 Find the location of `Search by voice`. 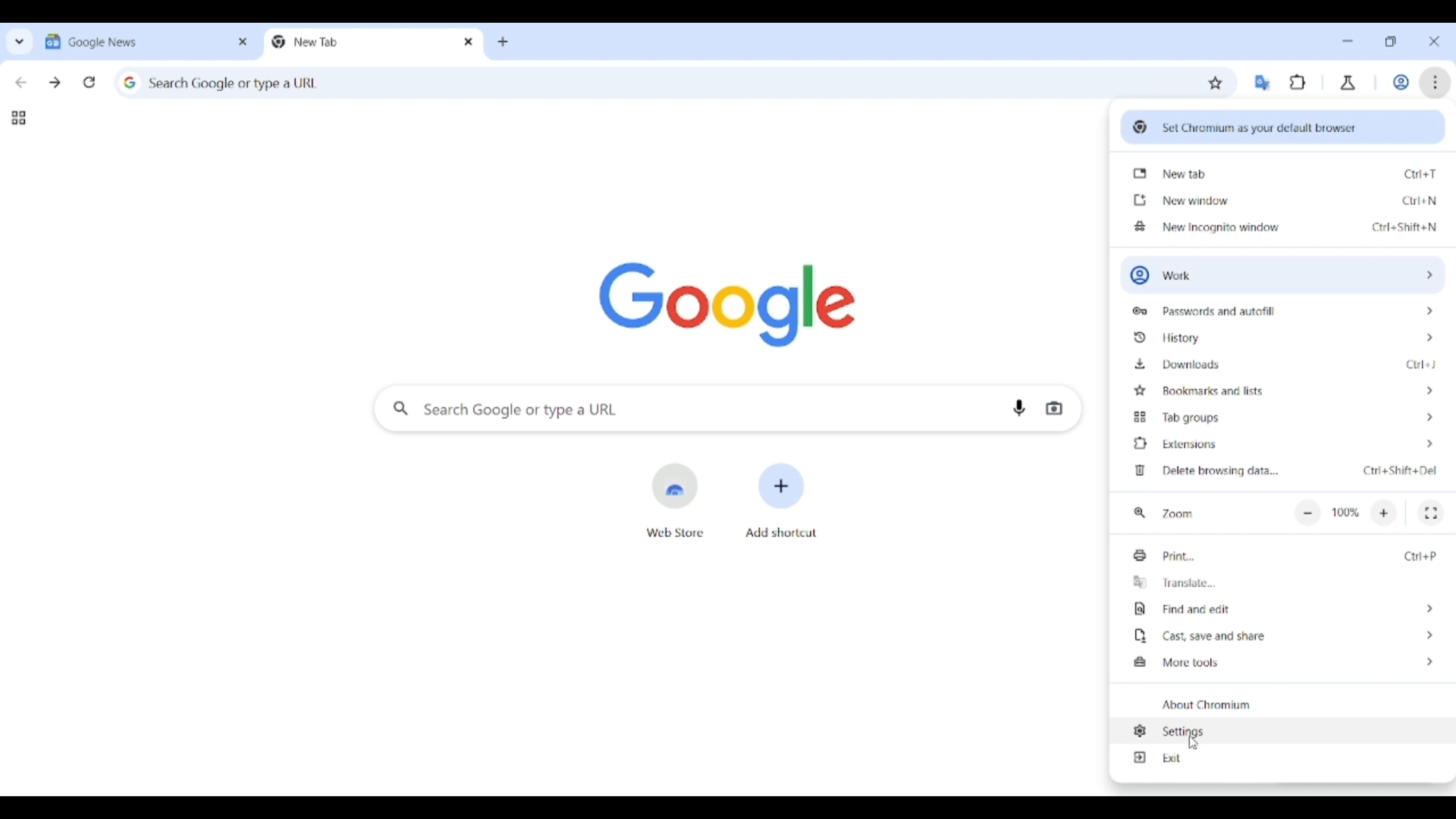

Search by voice is located at coordinates (1019, 408).